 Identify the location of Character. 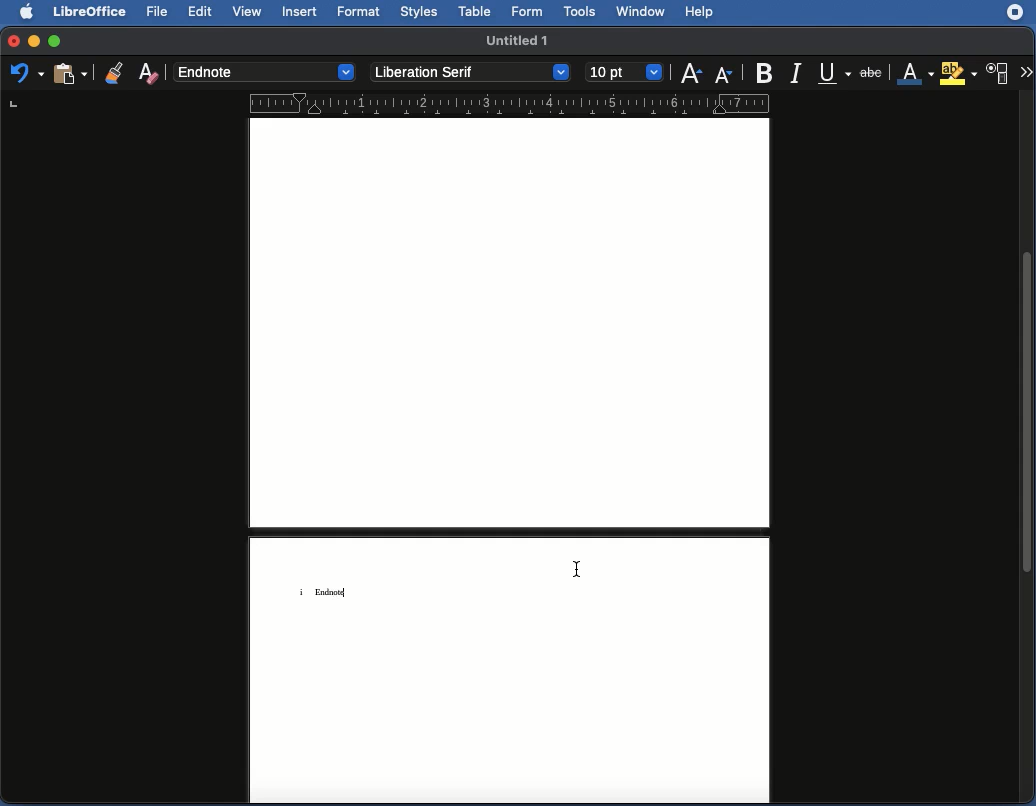
(997, 74).